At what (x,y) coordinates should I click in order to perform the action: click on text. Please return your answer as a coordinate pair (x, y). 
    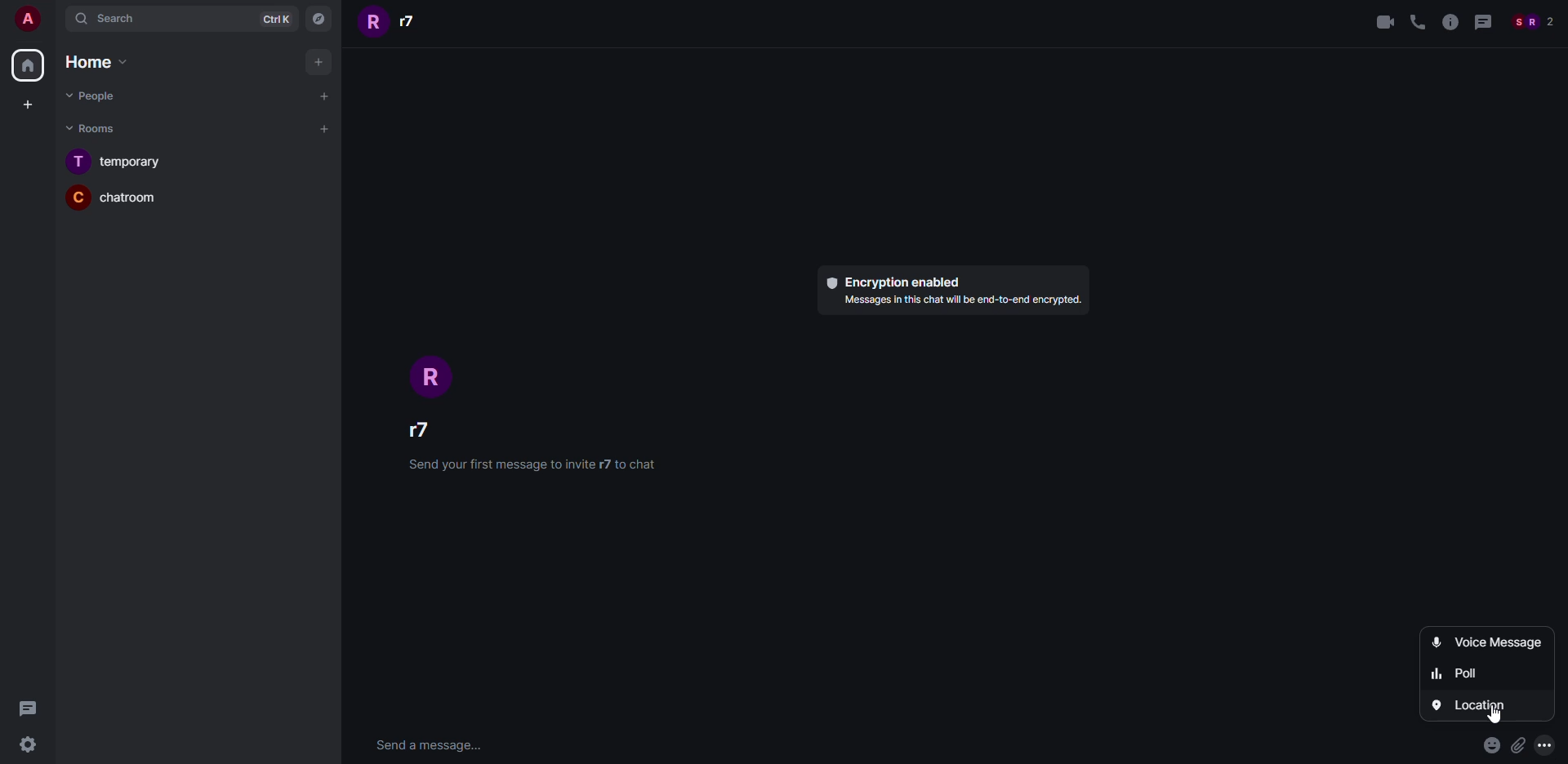
    Looking at the image, I should click on (530, 464).